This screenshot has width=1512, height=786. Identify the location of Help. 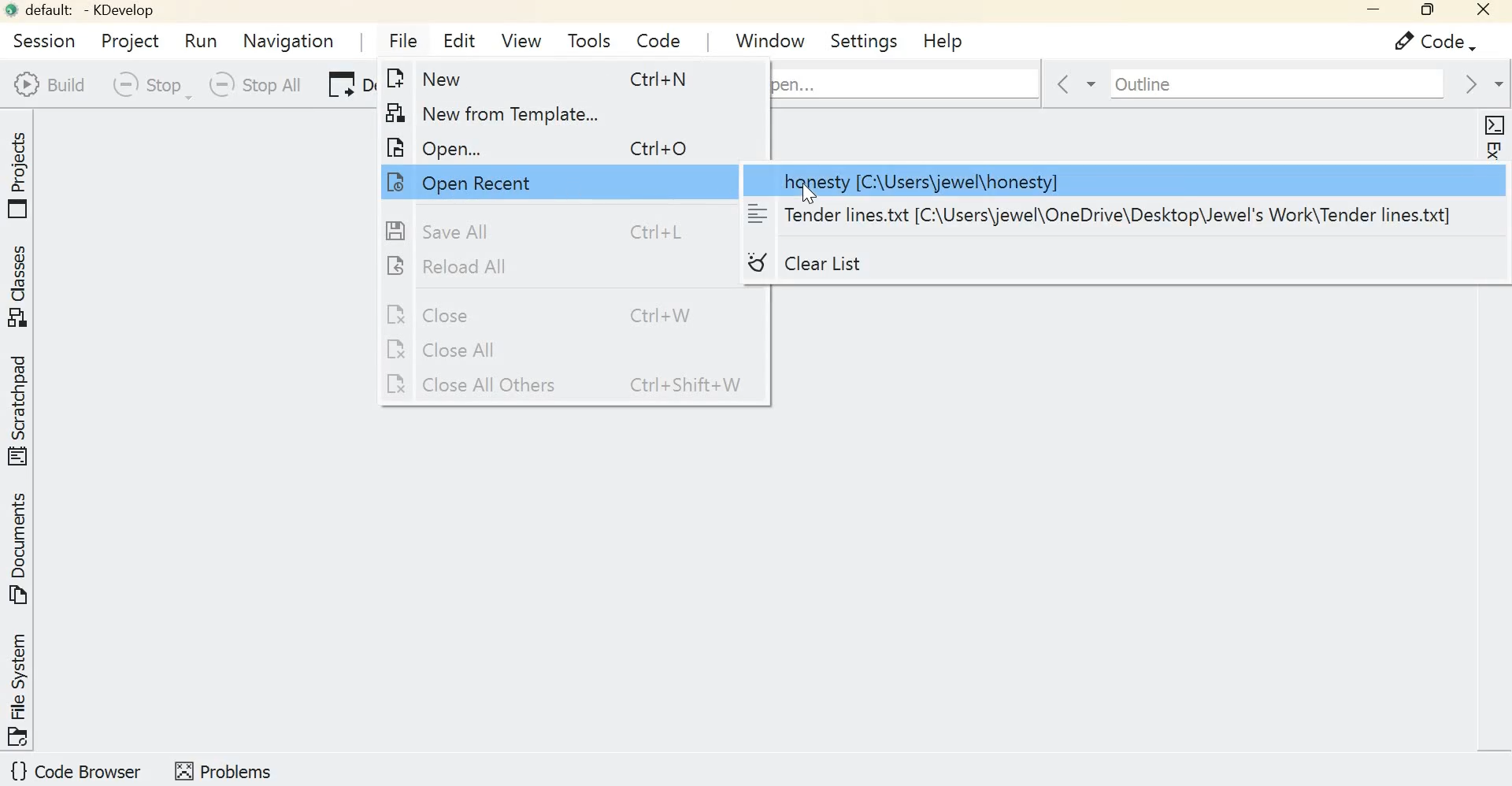
(942, 39).